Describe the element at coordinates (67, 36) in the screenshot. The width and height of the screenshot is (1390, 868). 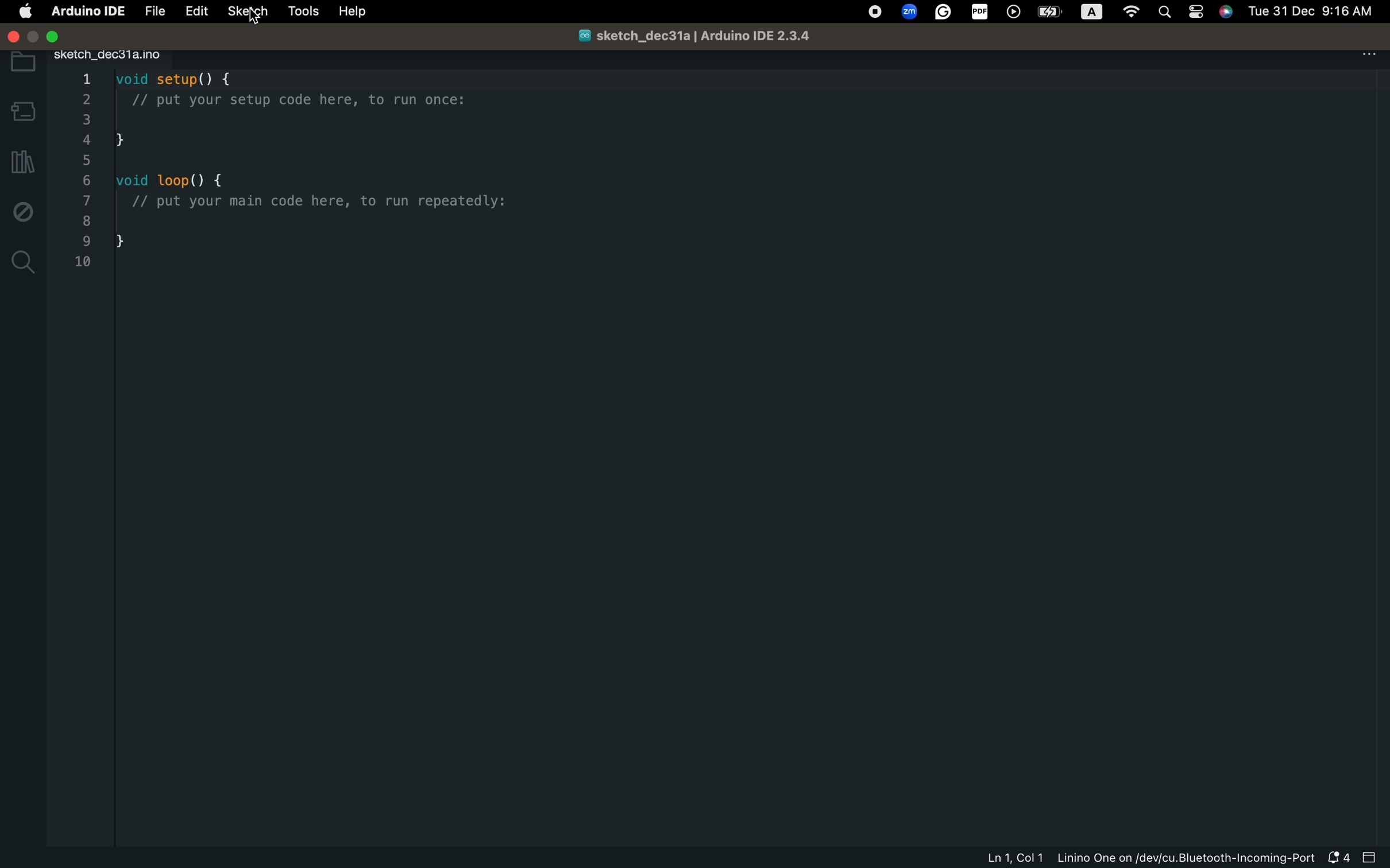
I see `window setting` at that location.